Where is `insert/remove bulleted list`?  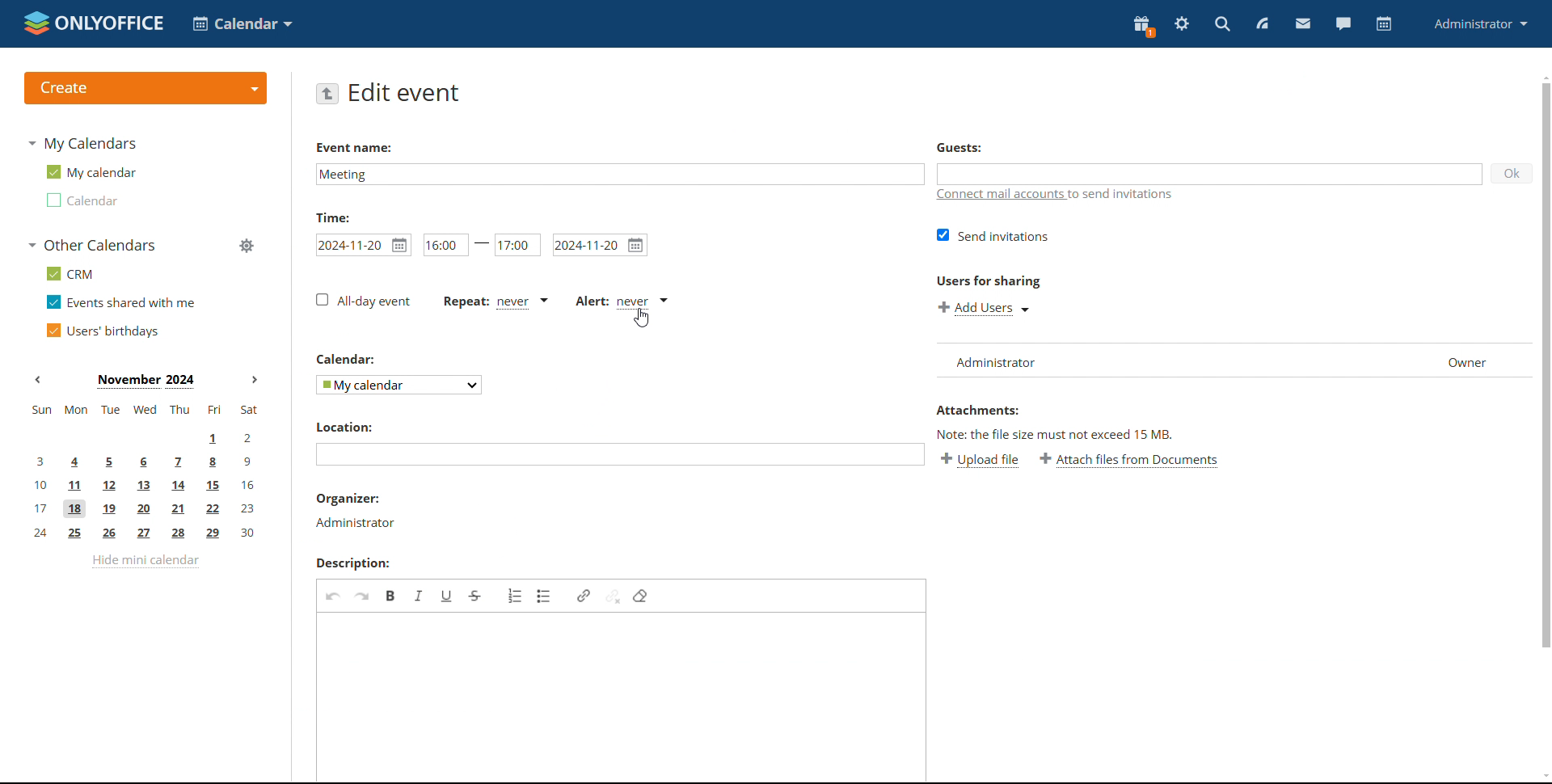 insert/remove bulleted list is located at coordinates (546, 596).